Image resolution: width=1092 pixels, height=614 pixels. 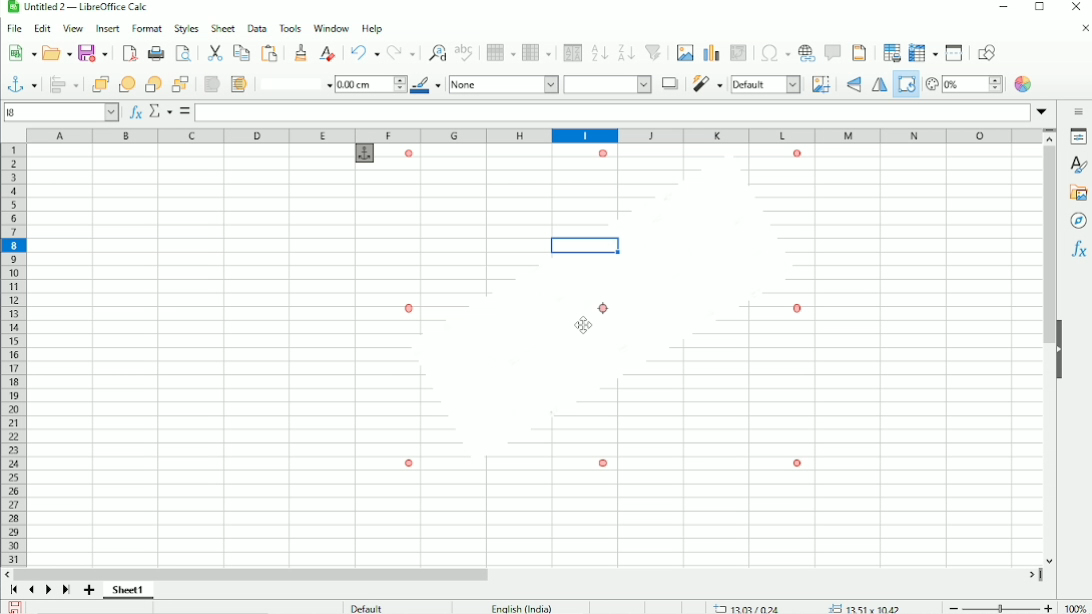 I want to click on Hide, so click(x=1061, y=348).